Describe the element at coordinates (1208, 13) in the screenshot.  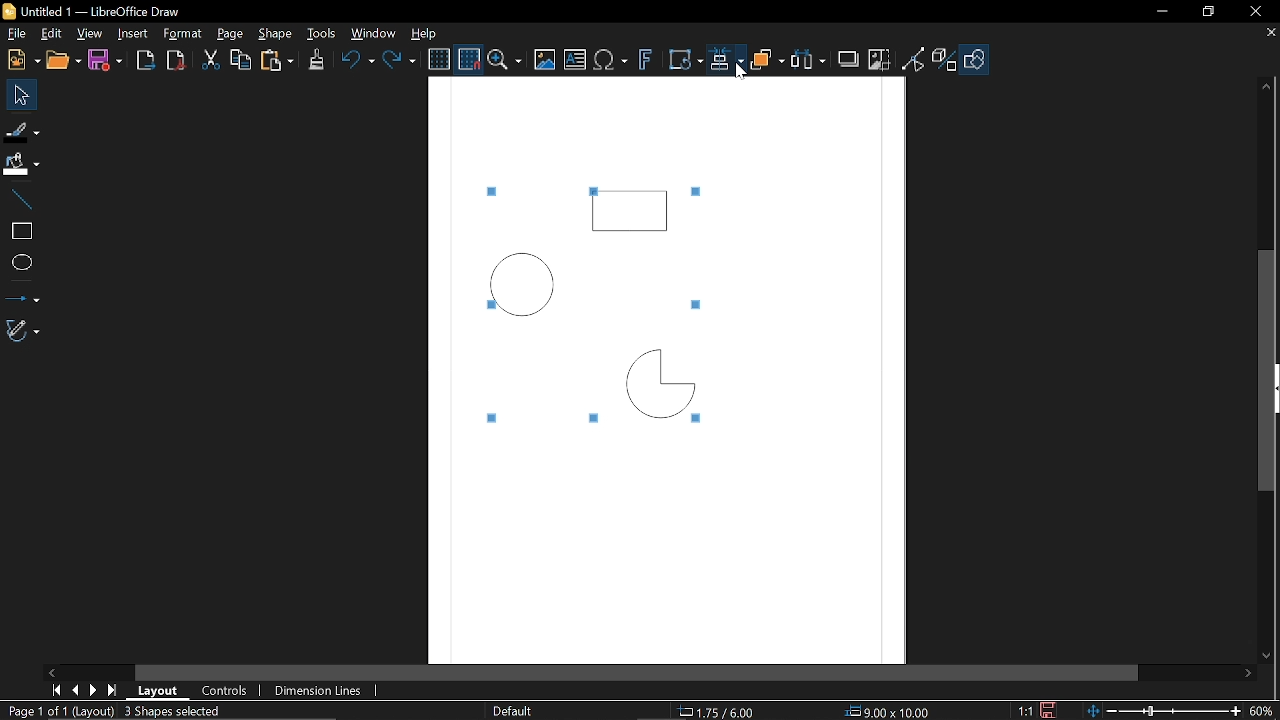
I see `Restore down` at that location.